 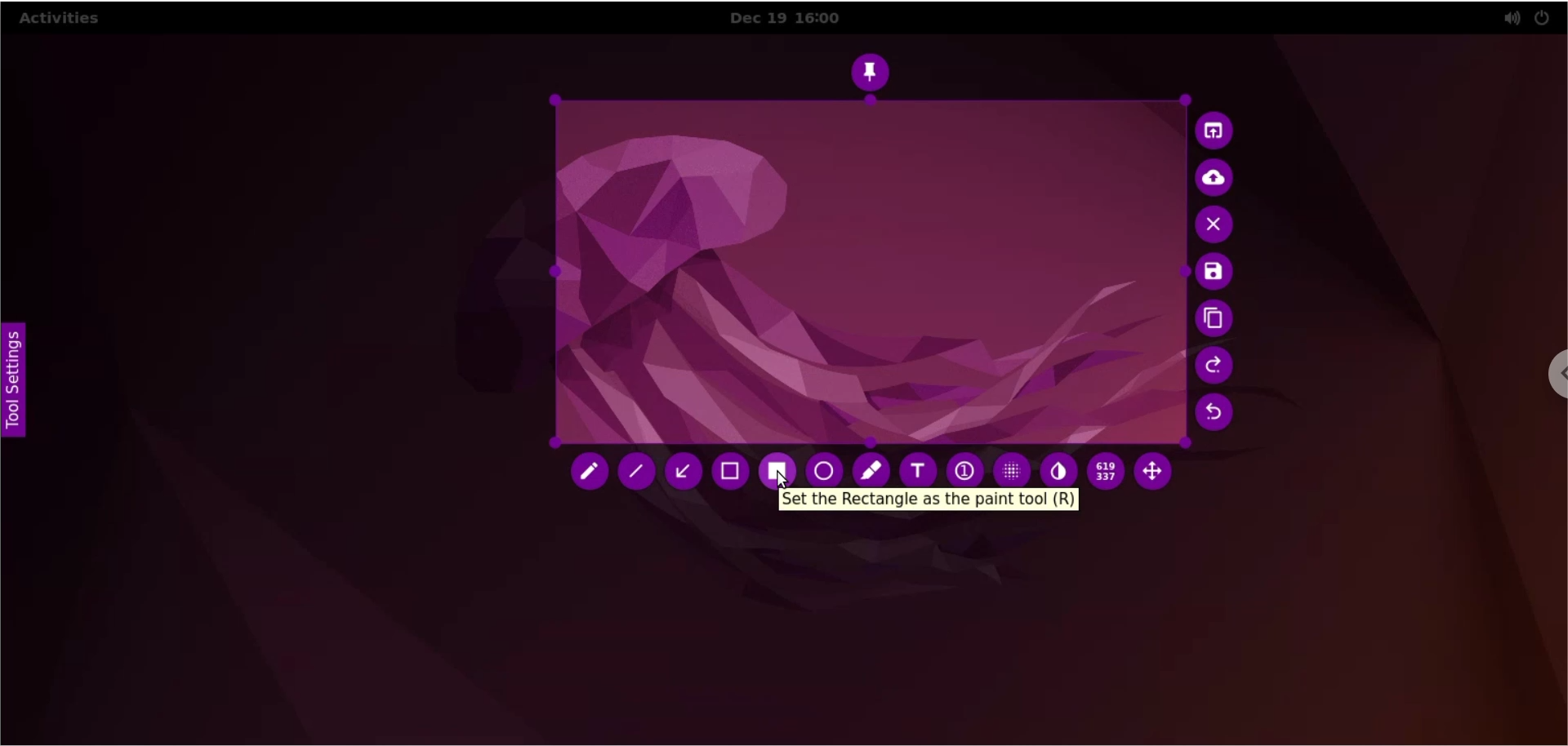 I want to click on line tool, so click(x=640, y=473).